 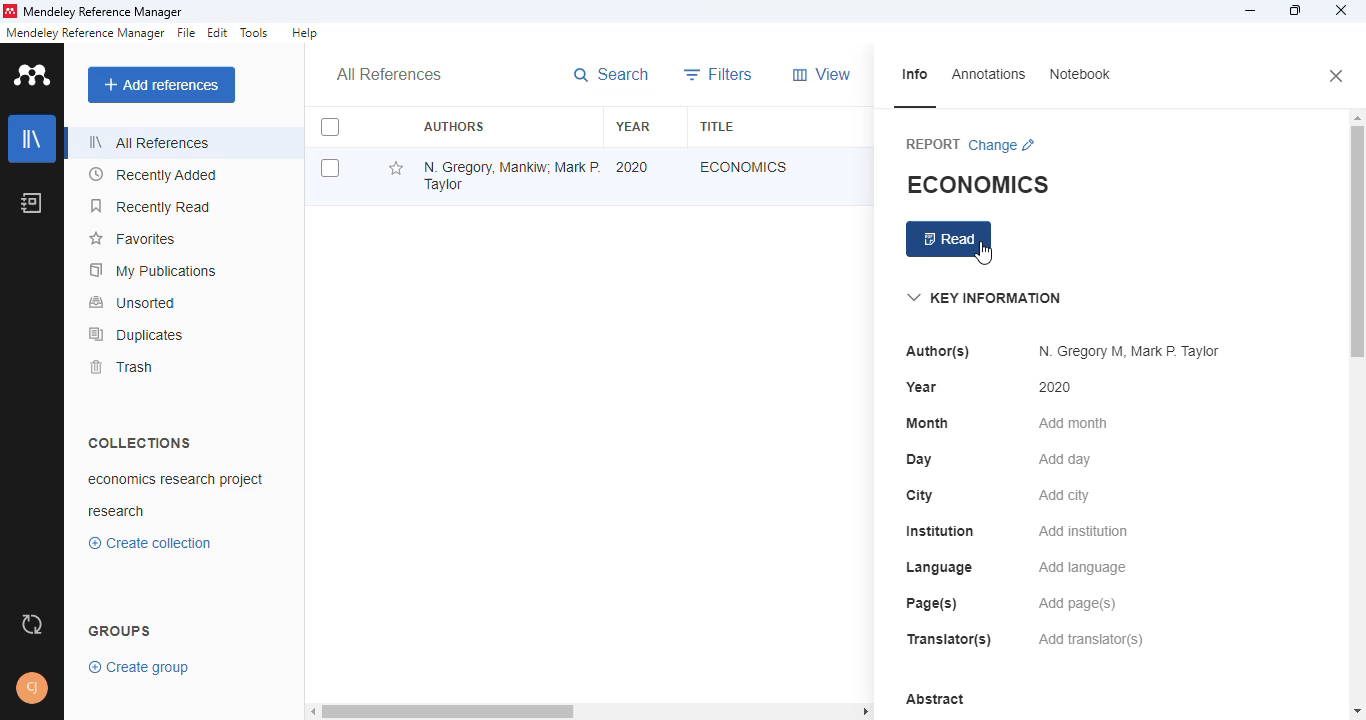 What do you see at coordinates (32, 74) in the screenshot?
I see `logo` at bounding box center [32, 74].